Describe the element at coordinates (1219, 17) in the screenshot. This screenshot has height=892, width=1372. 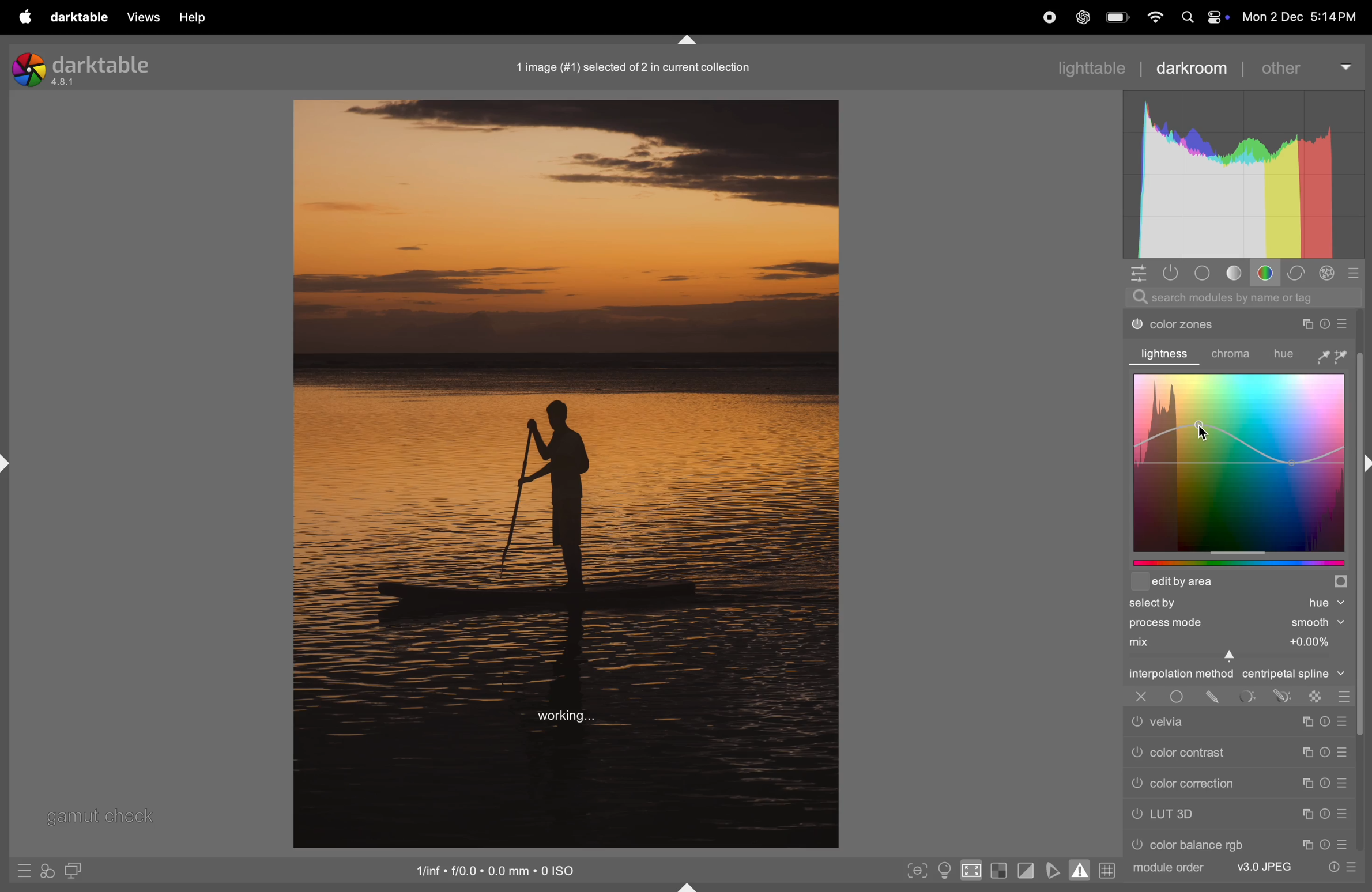
I see `control center` at that location.